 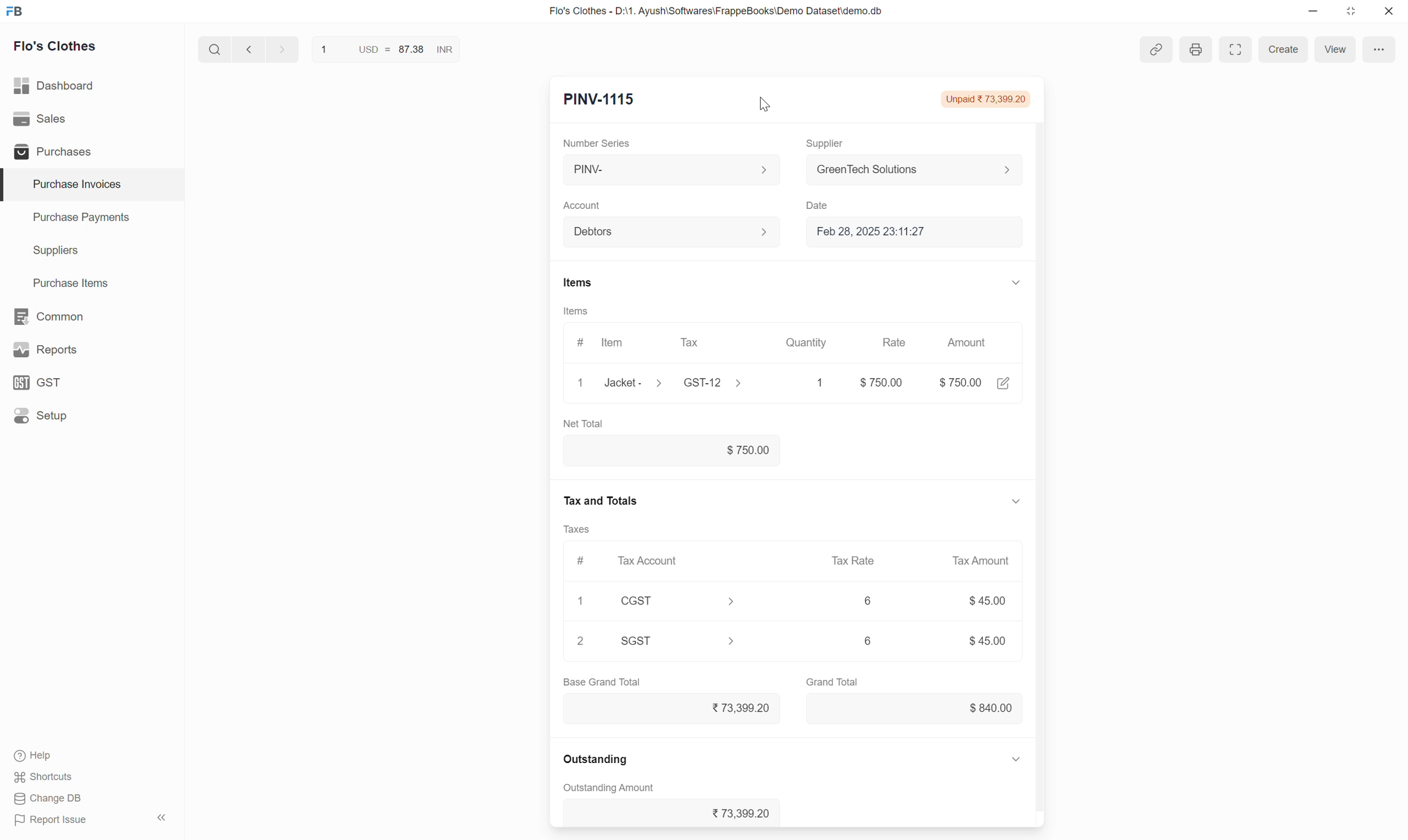 I want to click on $ 102.99, so click(x=960, y=383).